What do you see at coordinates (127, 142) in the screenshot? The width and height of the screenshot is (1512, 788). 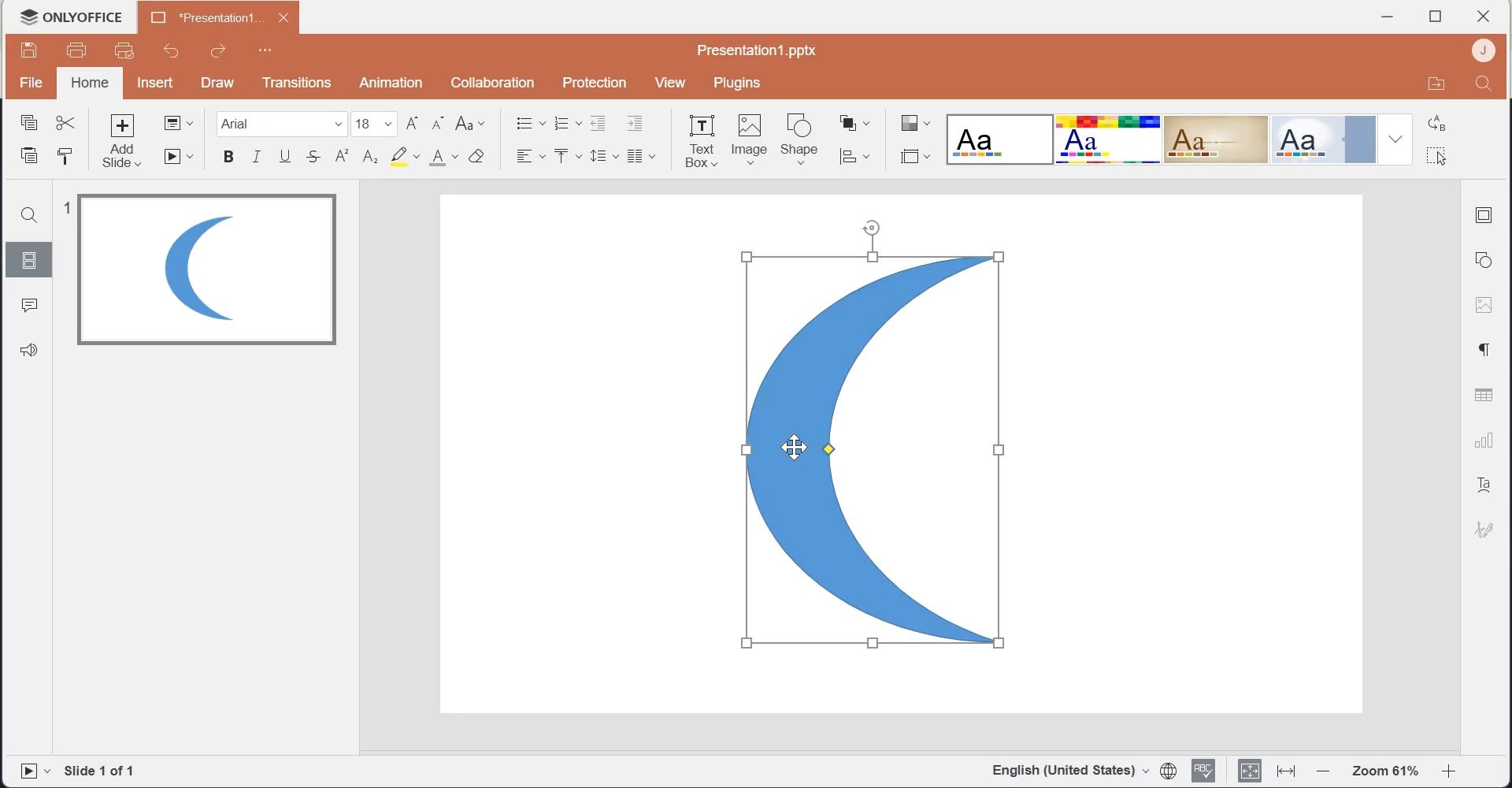 I see `Add slide` at bounding box center [127, 142].